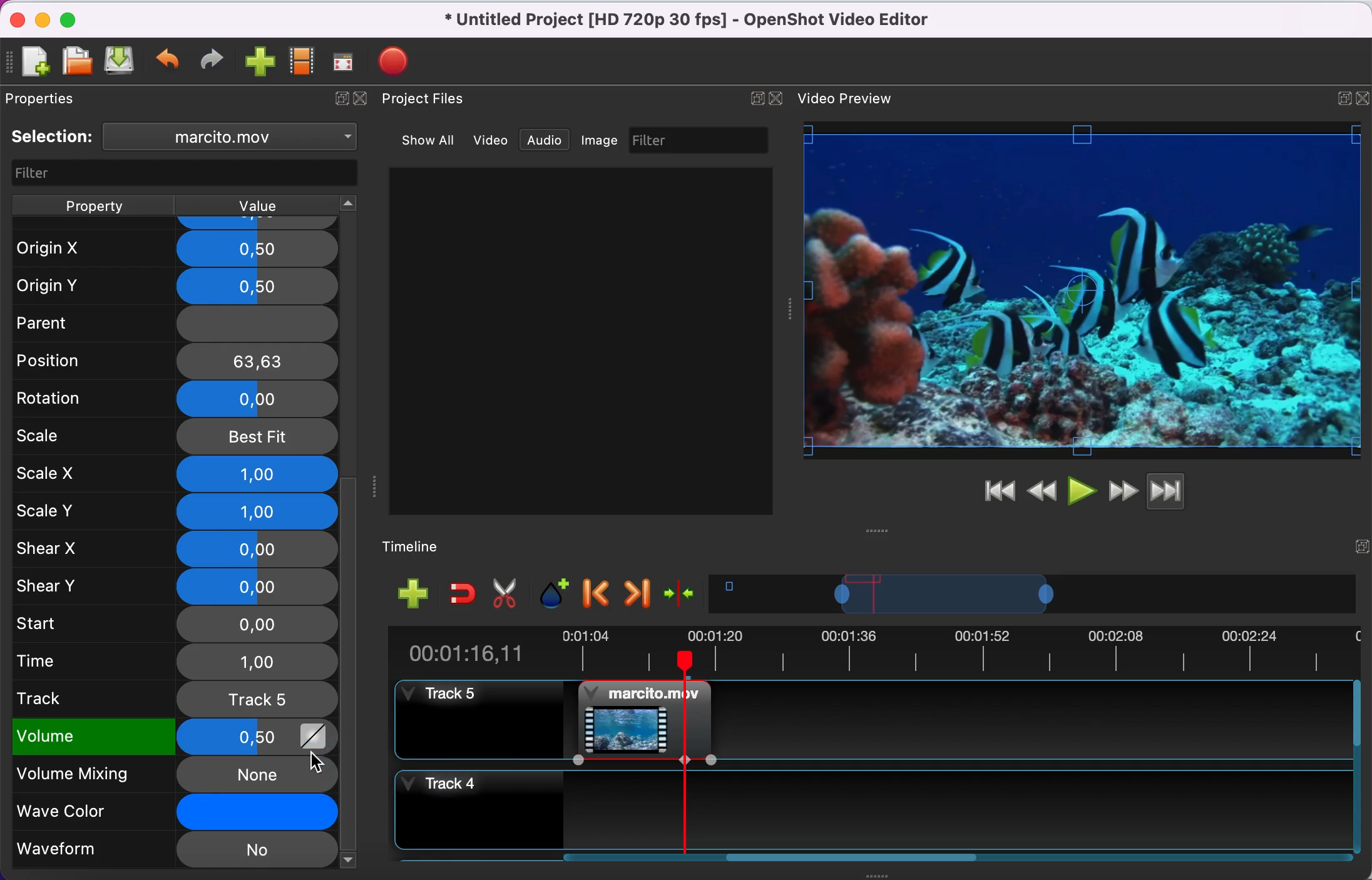  Describe the element at coordinates (174, 623) in the screenshot. I see `start 0` at that location.